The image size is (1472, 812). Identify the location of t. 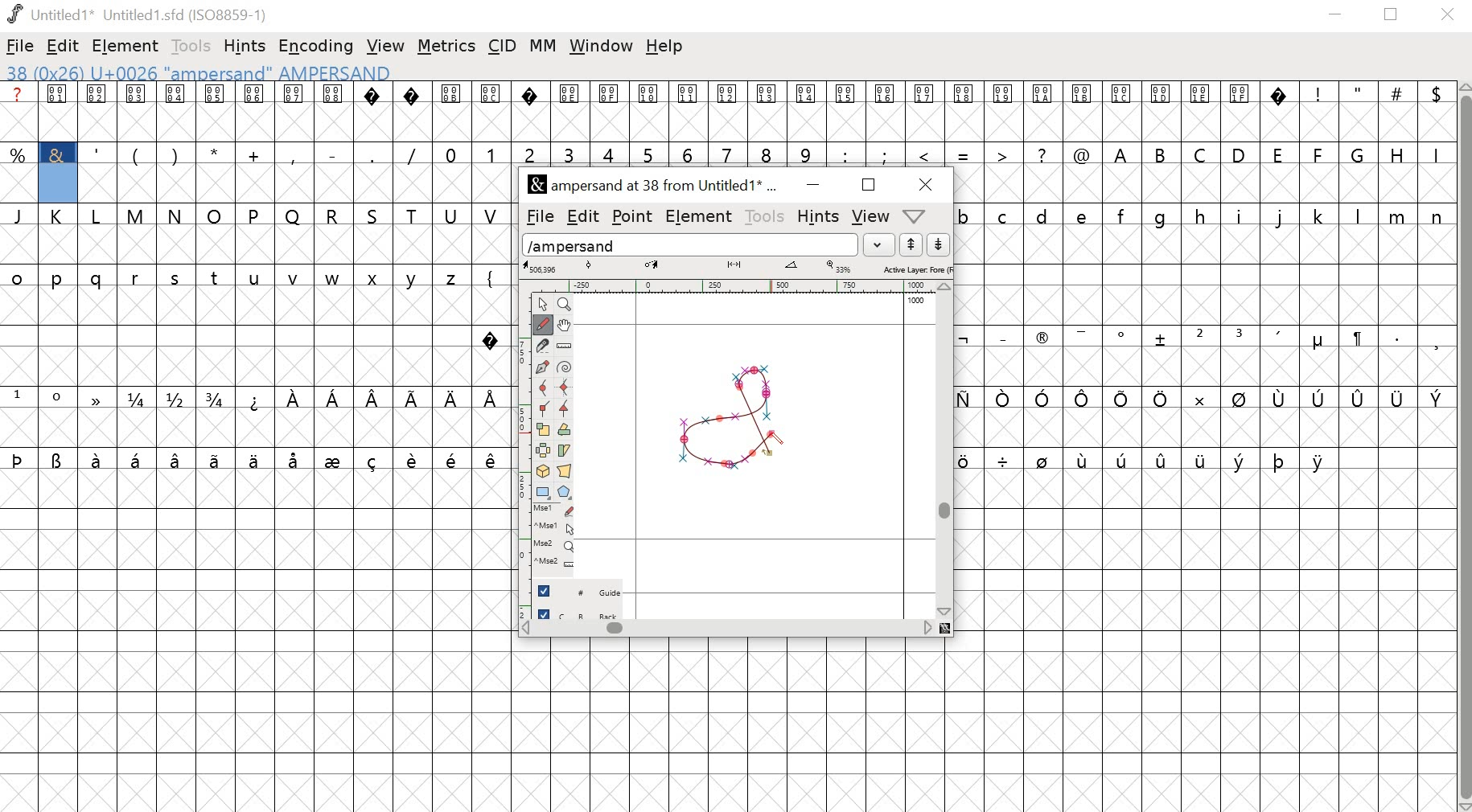
(216, 278).